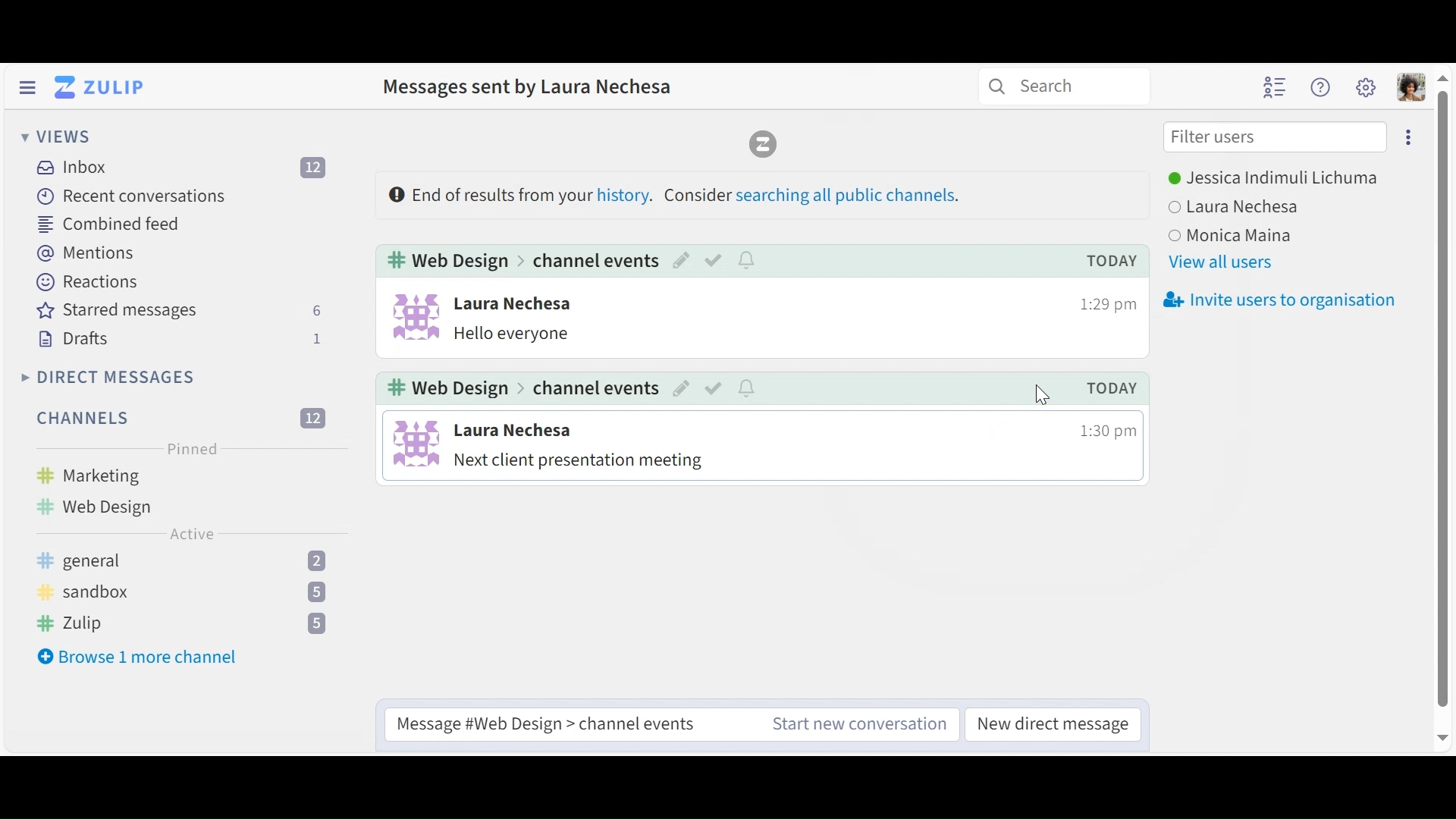 This screenshot has width=1456, height=819. Describe the element at coordinates (1106, 432) in the screenshot. I see `time` at that location.